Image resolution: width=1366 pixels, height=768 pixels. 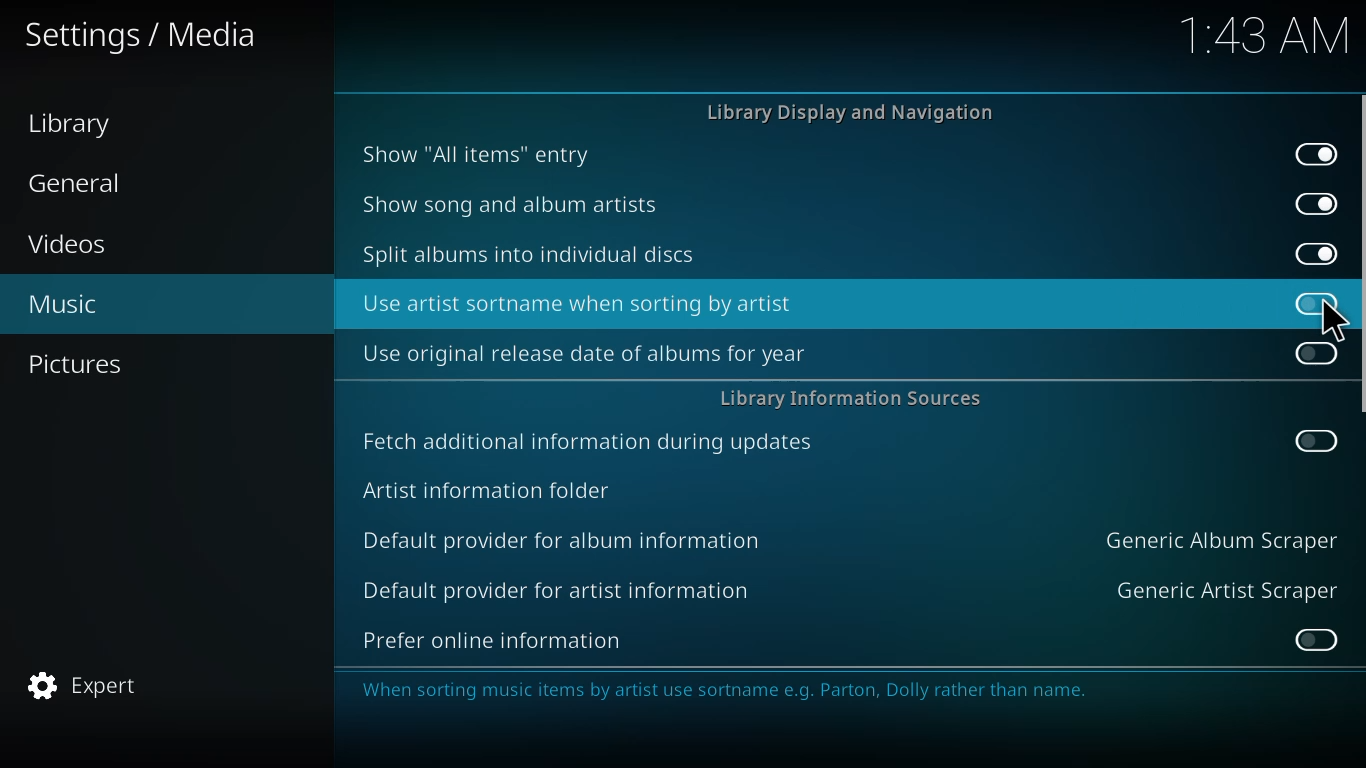 I want to click on default provider for album info, so click(x=566, y=538).